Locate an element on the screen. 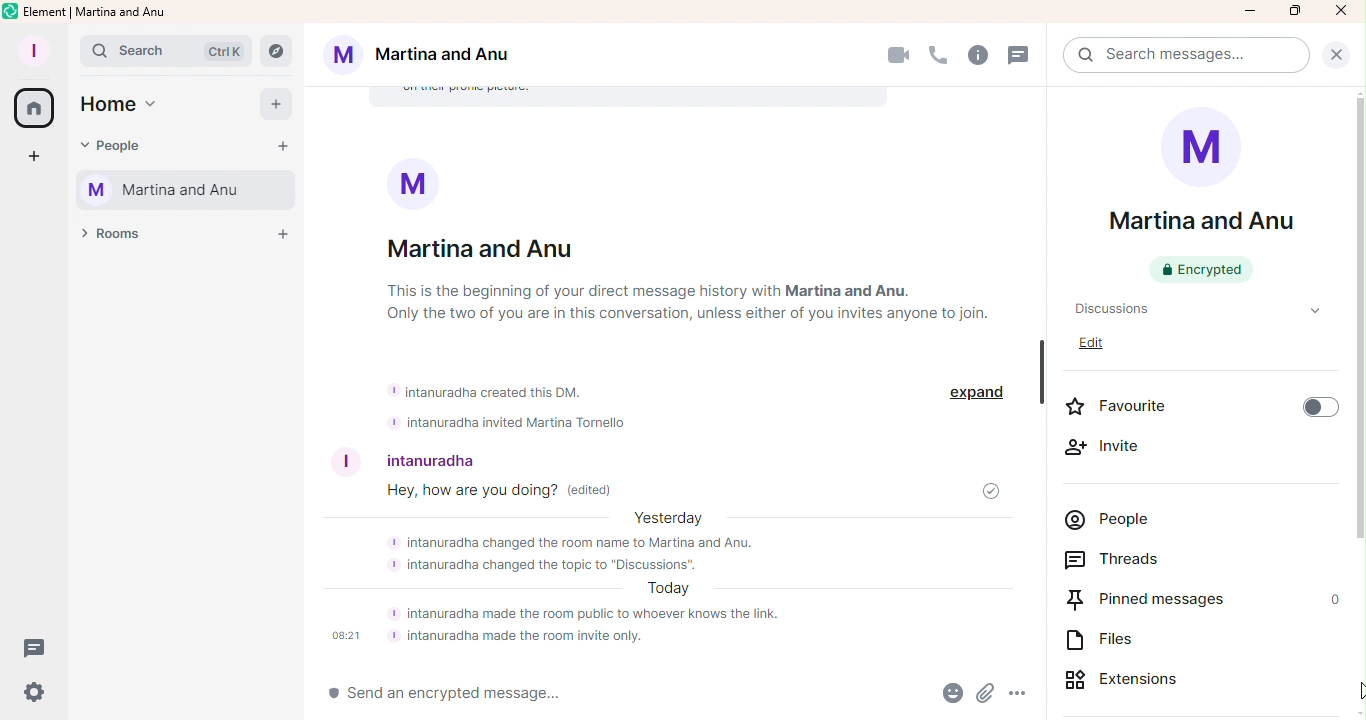  Invite is located at coordinates (1127, 449).